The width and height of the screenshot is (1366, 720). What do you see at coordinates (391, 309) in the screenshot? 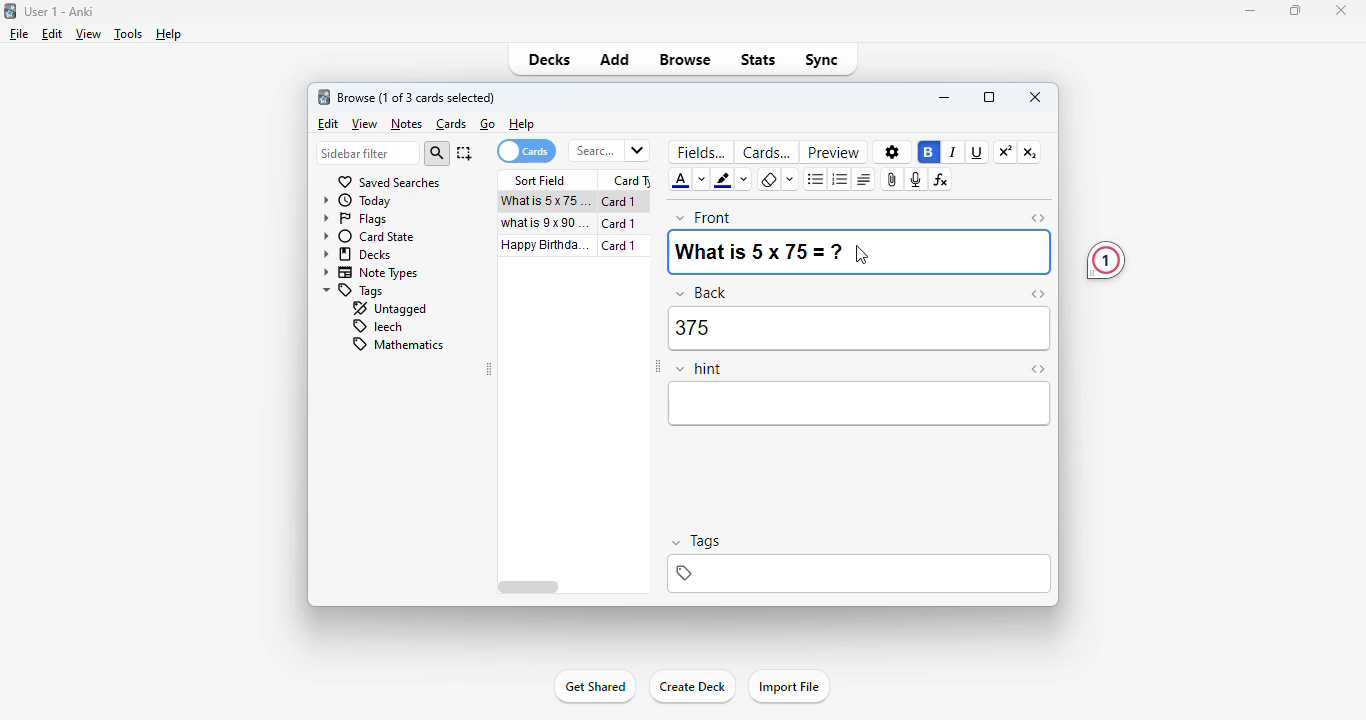
I see `untagged` at bounding box center [391, 309].